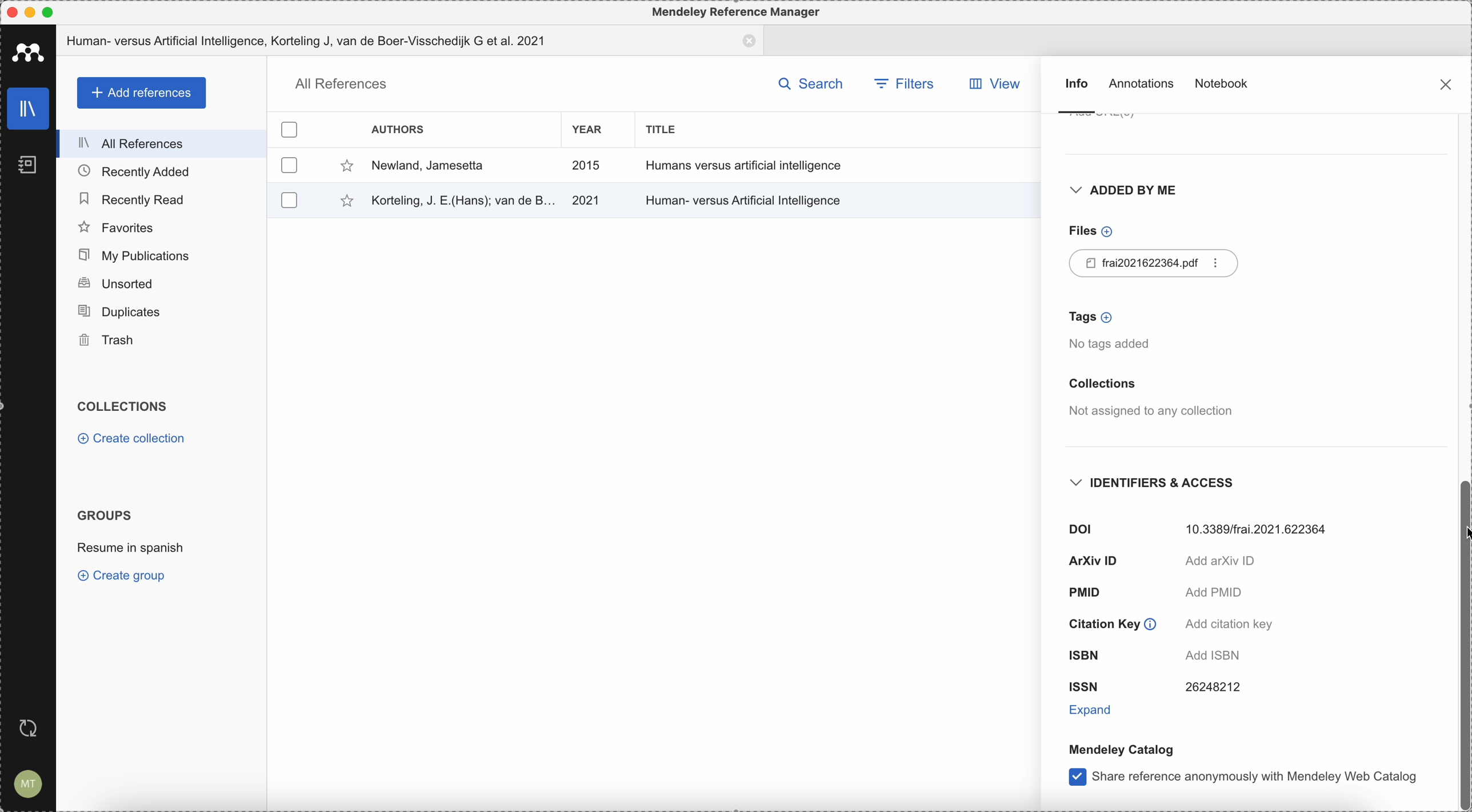 This screenshot has width=1472, height=812. I want to click on expand, so click(1094, 709).